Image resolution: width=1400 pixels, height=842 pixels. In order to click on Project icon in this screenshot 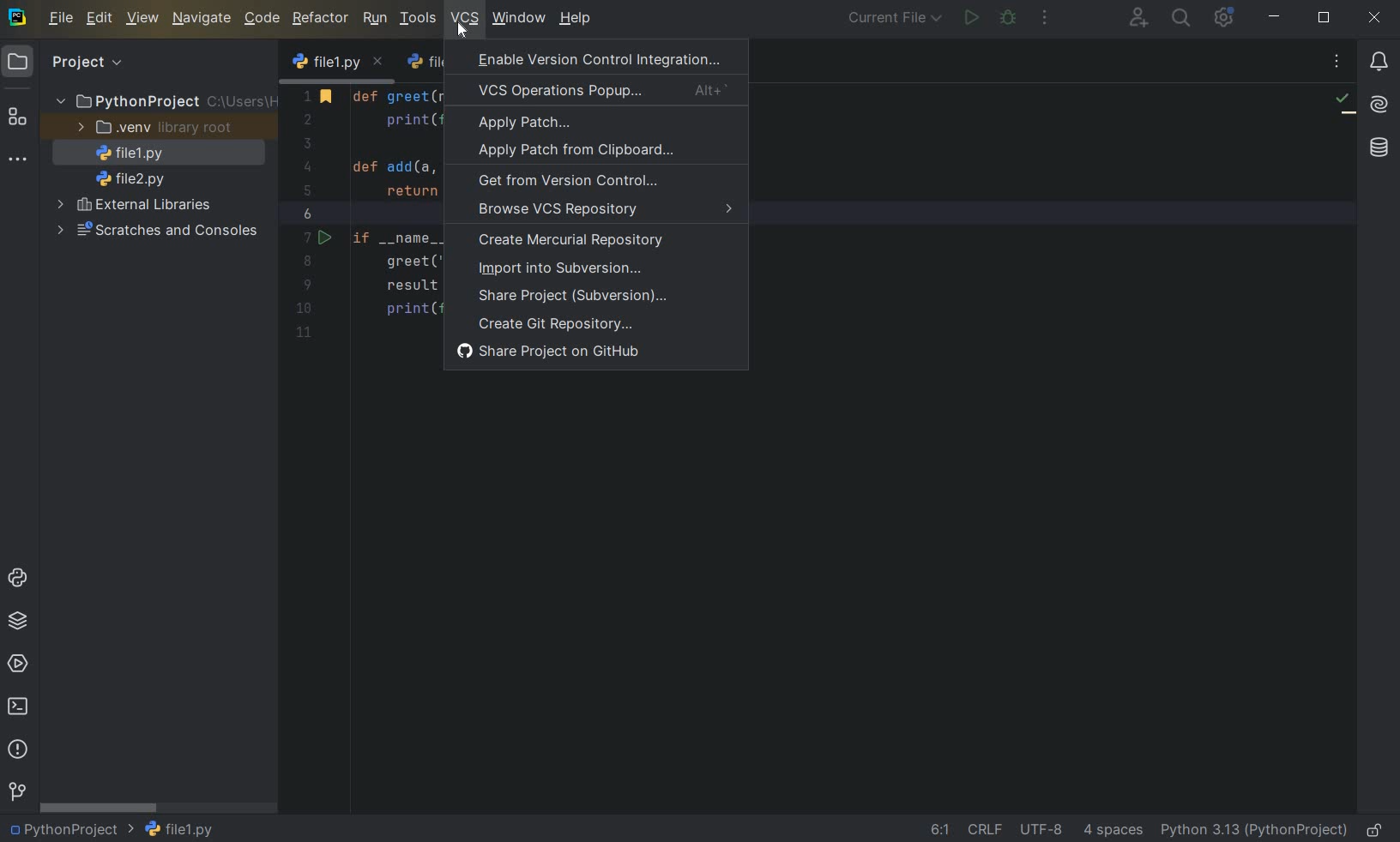, I will do `click(18, 63)`.